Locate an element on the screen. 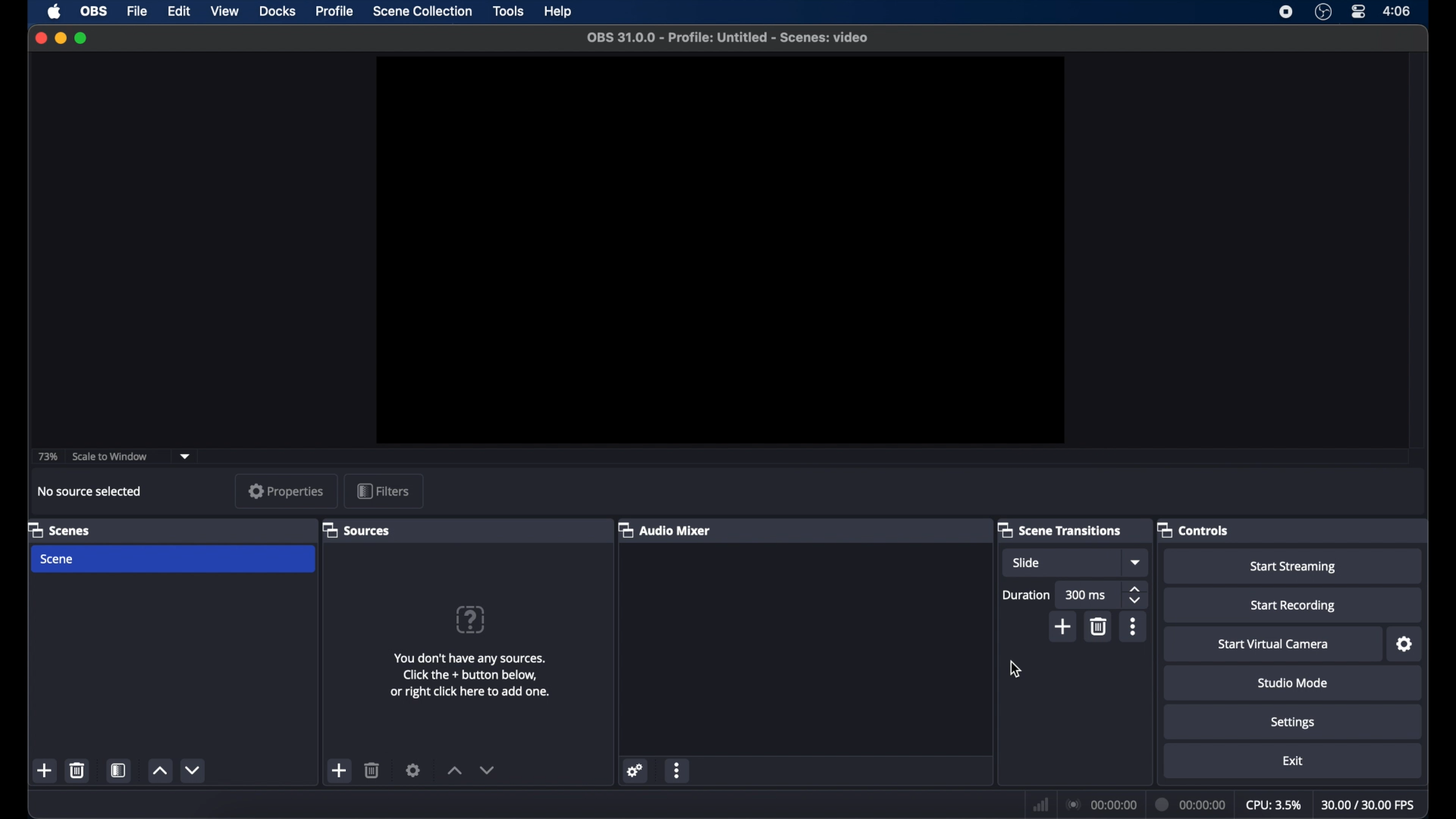 Image resolution: width=1456 pixels, height=819 pixels. exit is located at coordinates (1293, 761).